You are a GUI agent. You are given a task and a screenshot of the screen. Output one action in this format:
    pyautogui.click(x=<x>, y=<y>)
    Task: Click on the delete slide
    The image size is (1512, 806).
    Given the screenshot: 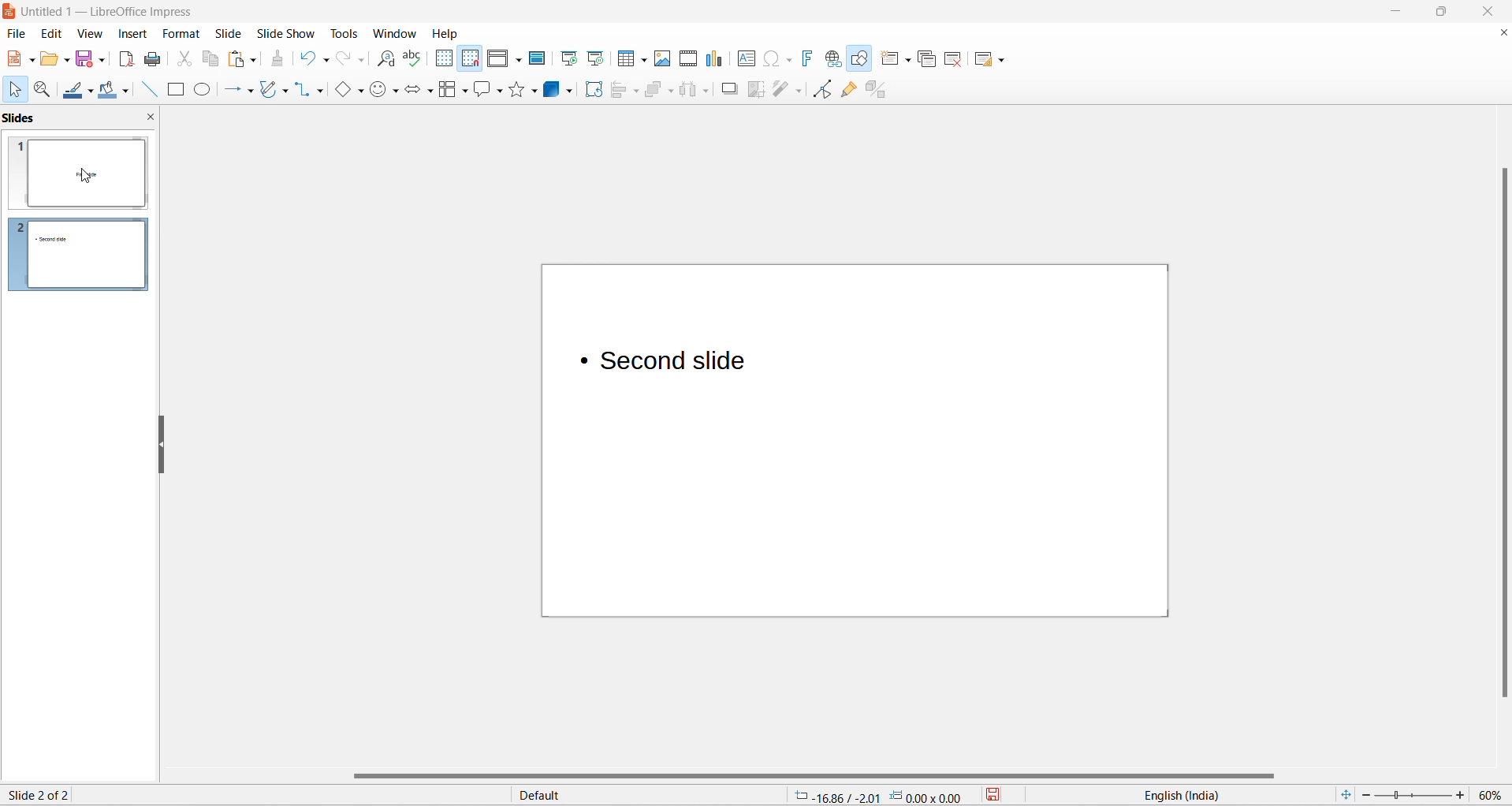 What is the action you would take?
    pyautogui.click(x=954, y=60)
    